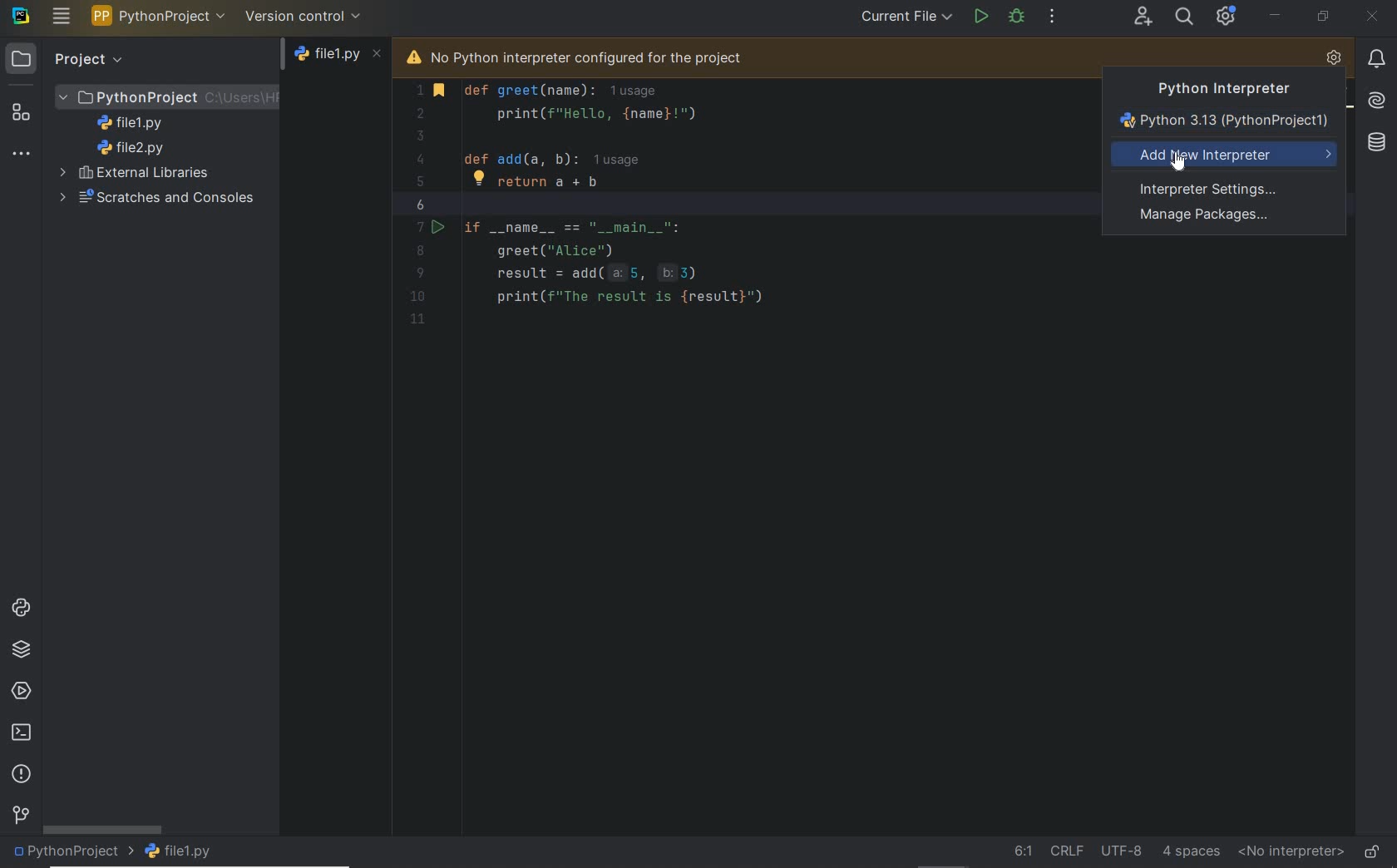 The height and width of the screenshot is (868, 1397). What do you see at coordinates (1182, 166) in the screenshot?
I see `cursor` at bounding box center [1182, 166].